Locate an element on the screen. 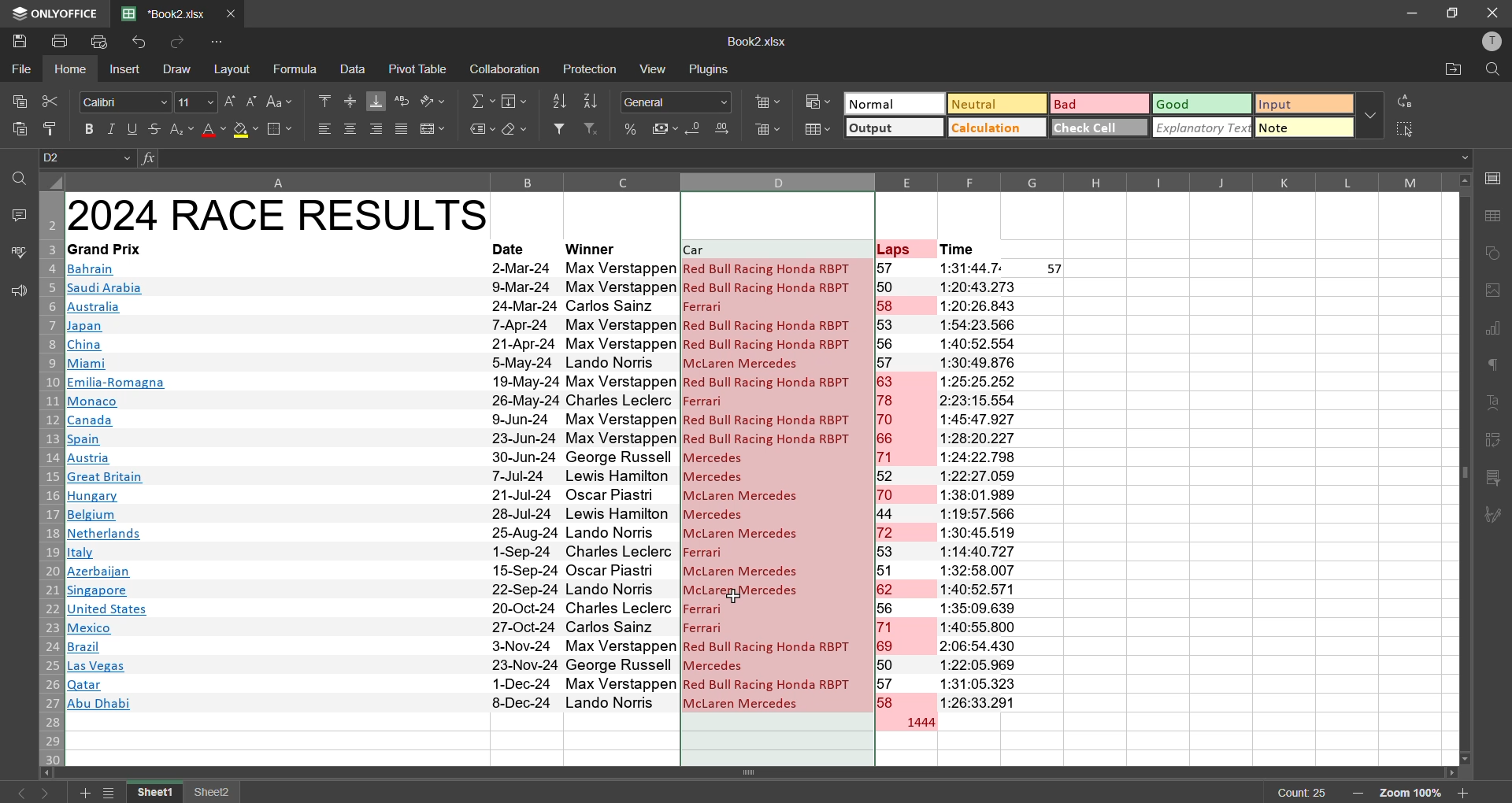 The height and width of the screenshot is (803, 1512). accounting is located at coordinates (665, 126).